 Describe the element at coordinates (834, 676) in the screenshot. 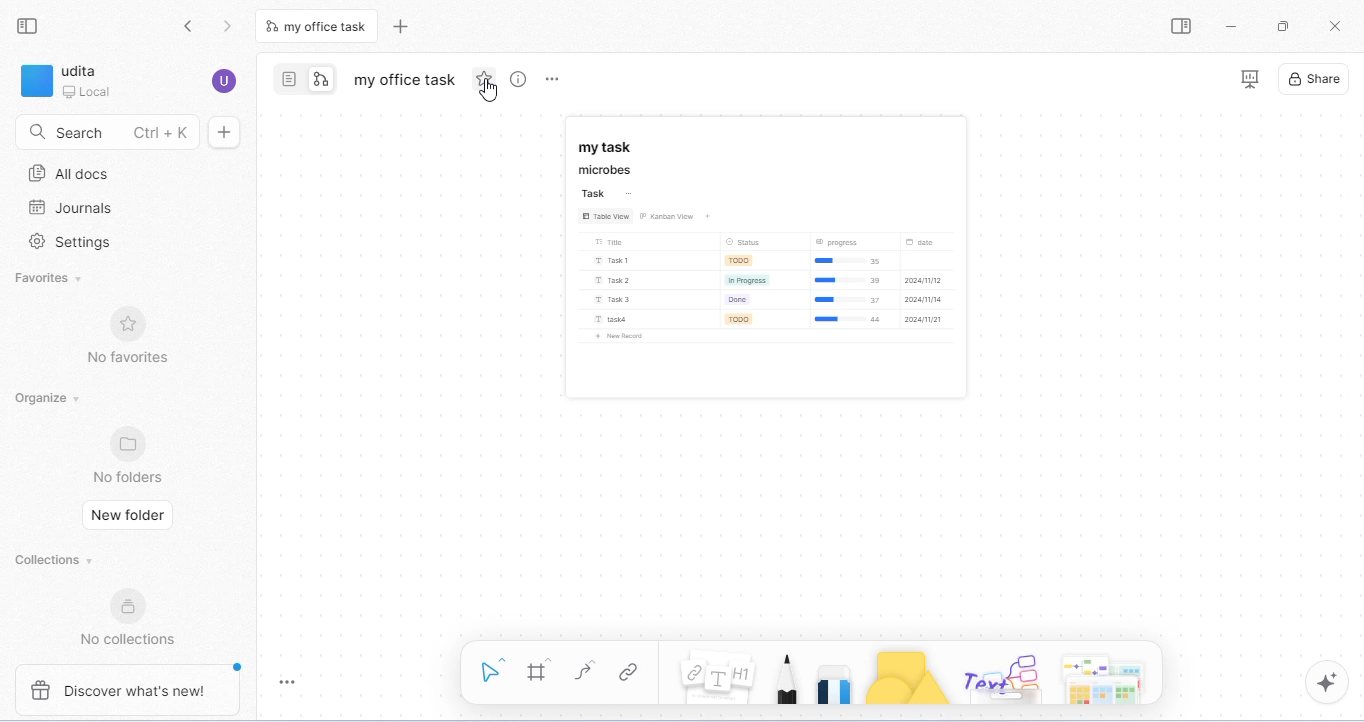

I see `eraser` at that location.